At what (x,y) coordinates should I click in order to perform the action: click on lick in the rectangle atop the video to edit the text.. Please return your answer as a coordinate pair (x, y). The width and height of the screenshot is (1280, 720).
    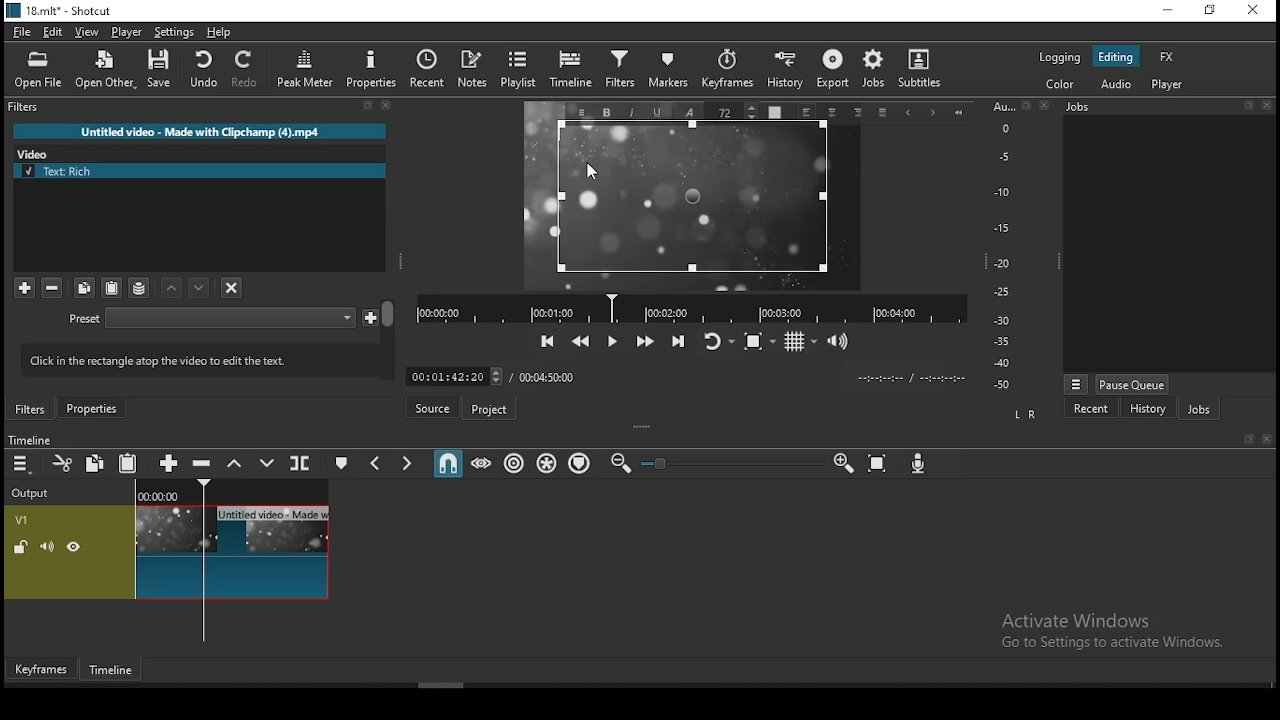
    Looking at the image, I should click on (191, 358).